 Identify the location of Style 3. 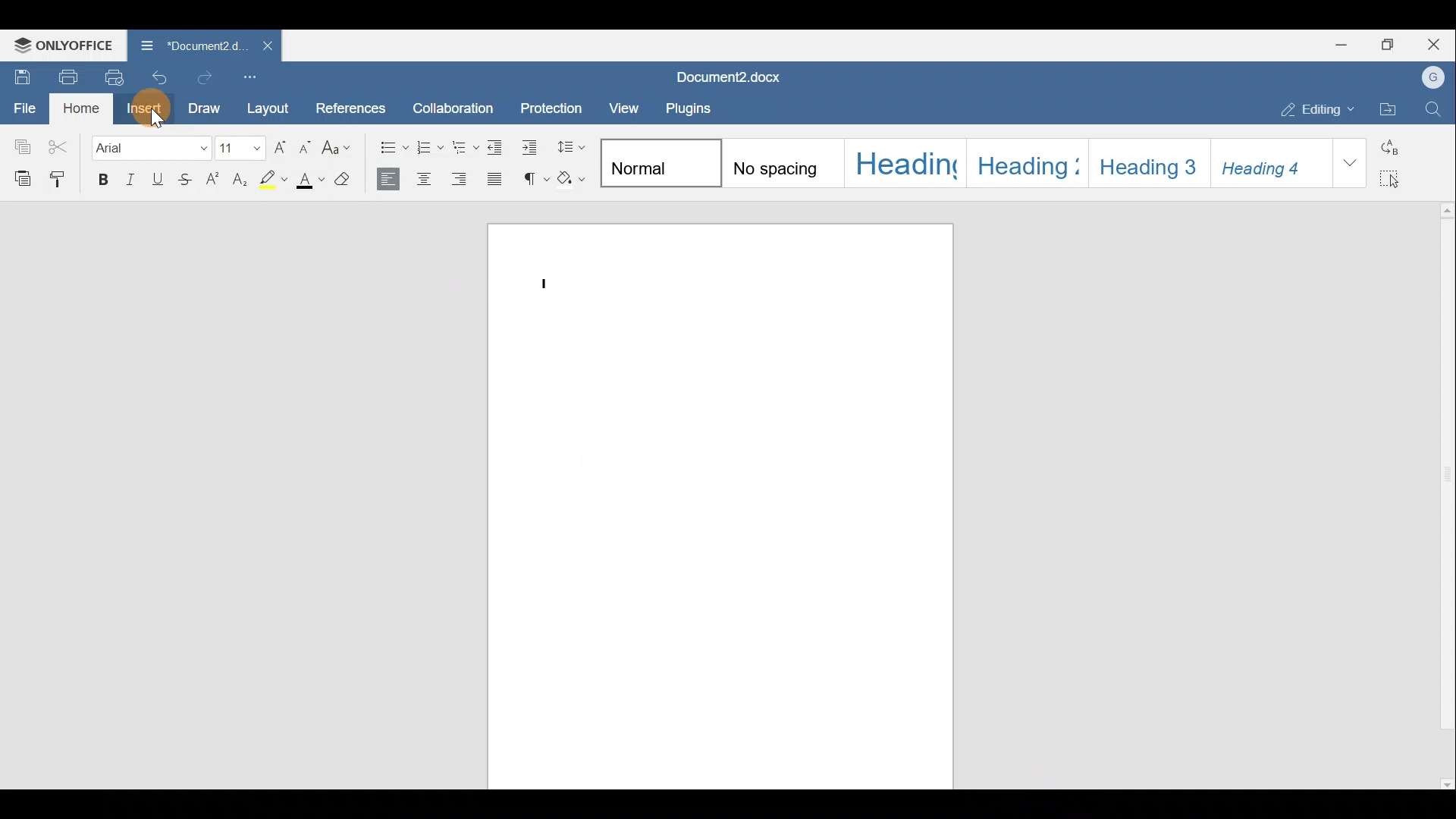
(902, 163).